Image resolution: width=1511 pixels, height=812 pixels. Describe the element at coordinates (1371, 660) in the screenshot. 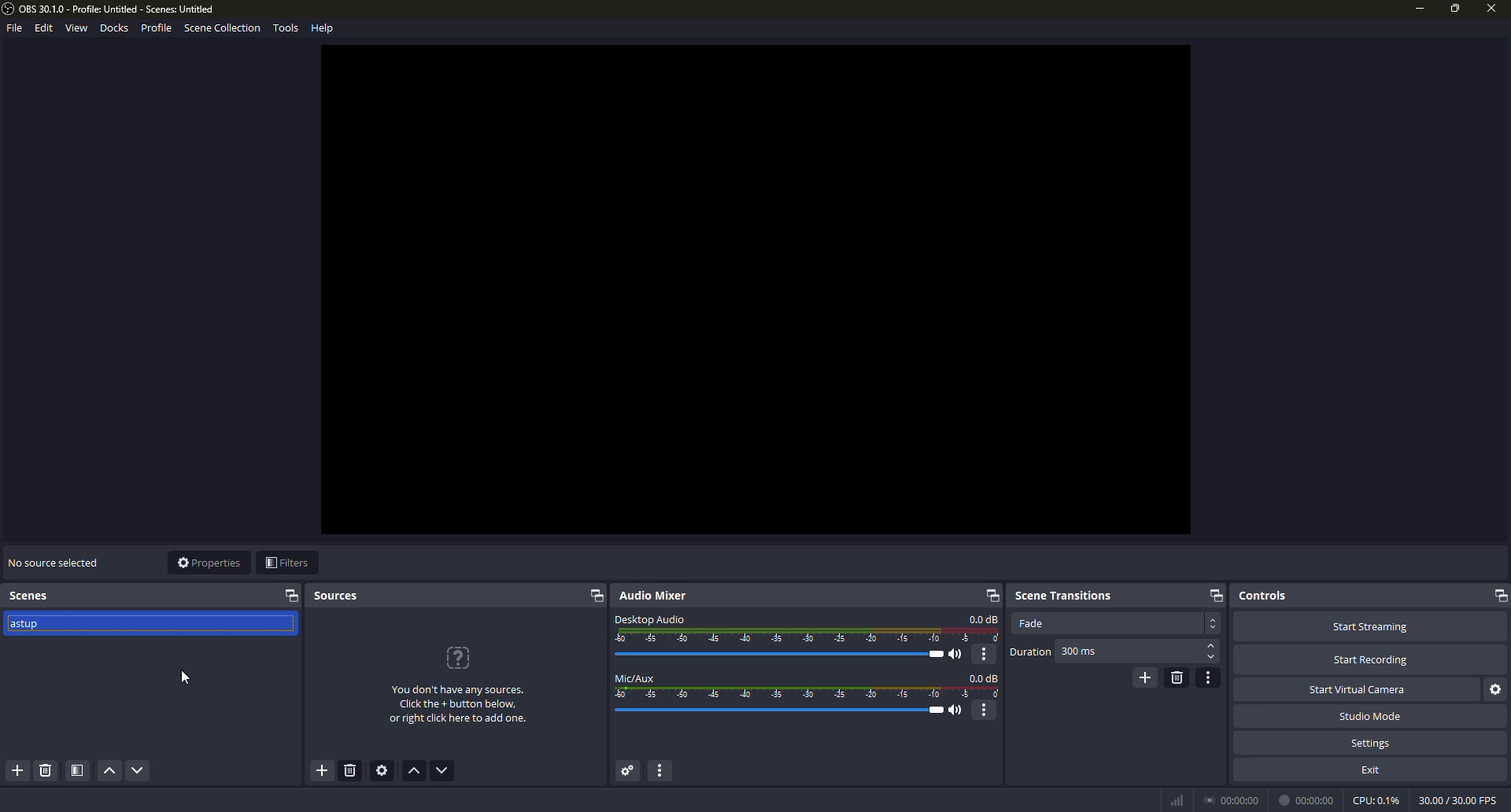

I see `start recording` at that location.